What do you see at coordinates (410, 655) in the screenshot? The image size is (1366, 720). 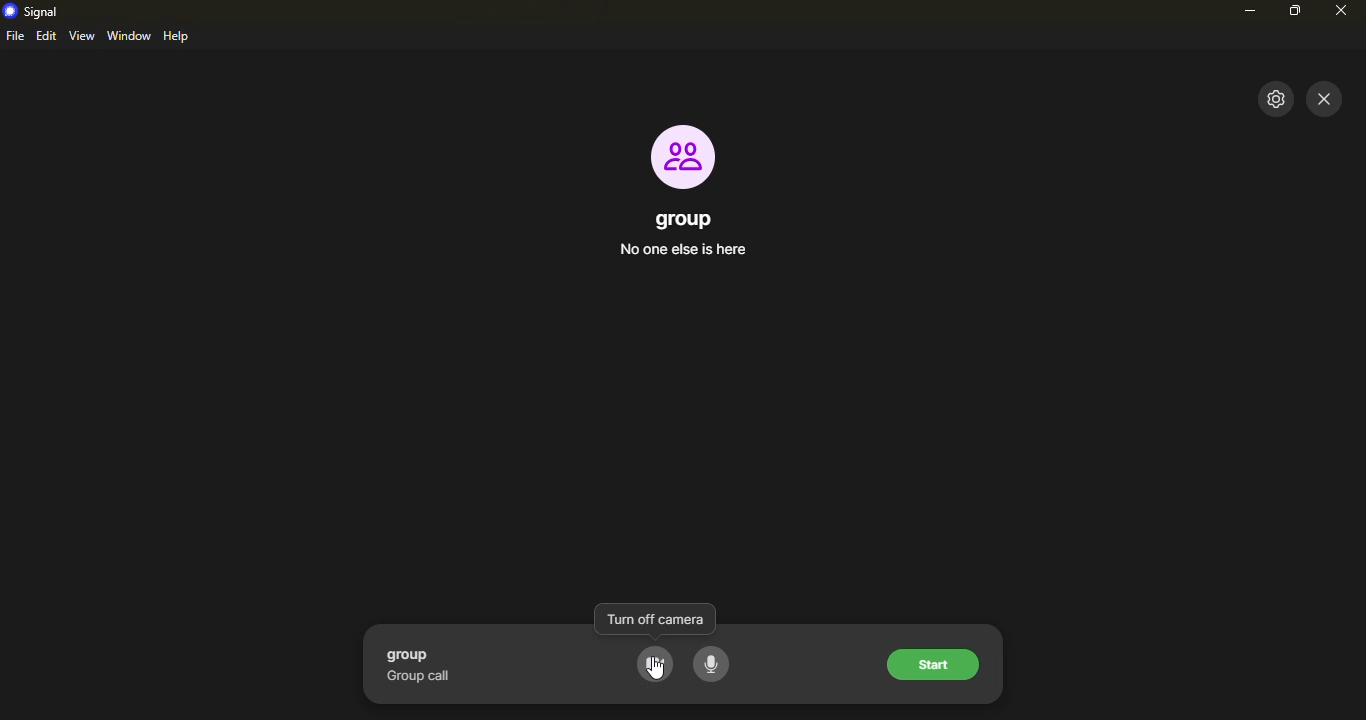 I see `group` at bounding box center [410, 655].